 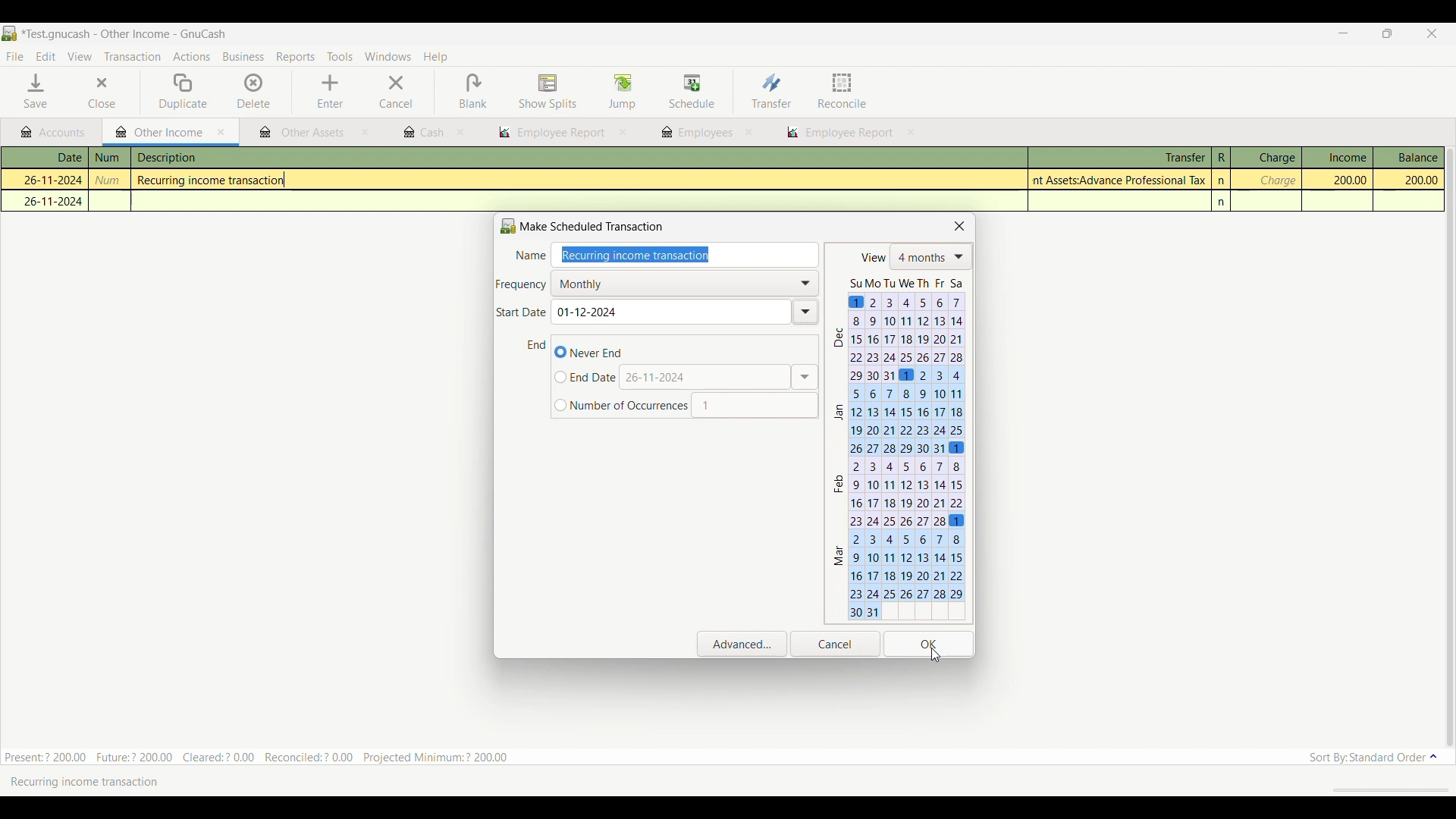 What do you see at coordinates (586, 226) in the screenshot?
I see `Make Scheduled Transaction` at bounding box center [586, 226].